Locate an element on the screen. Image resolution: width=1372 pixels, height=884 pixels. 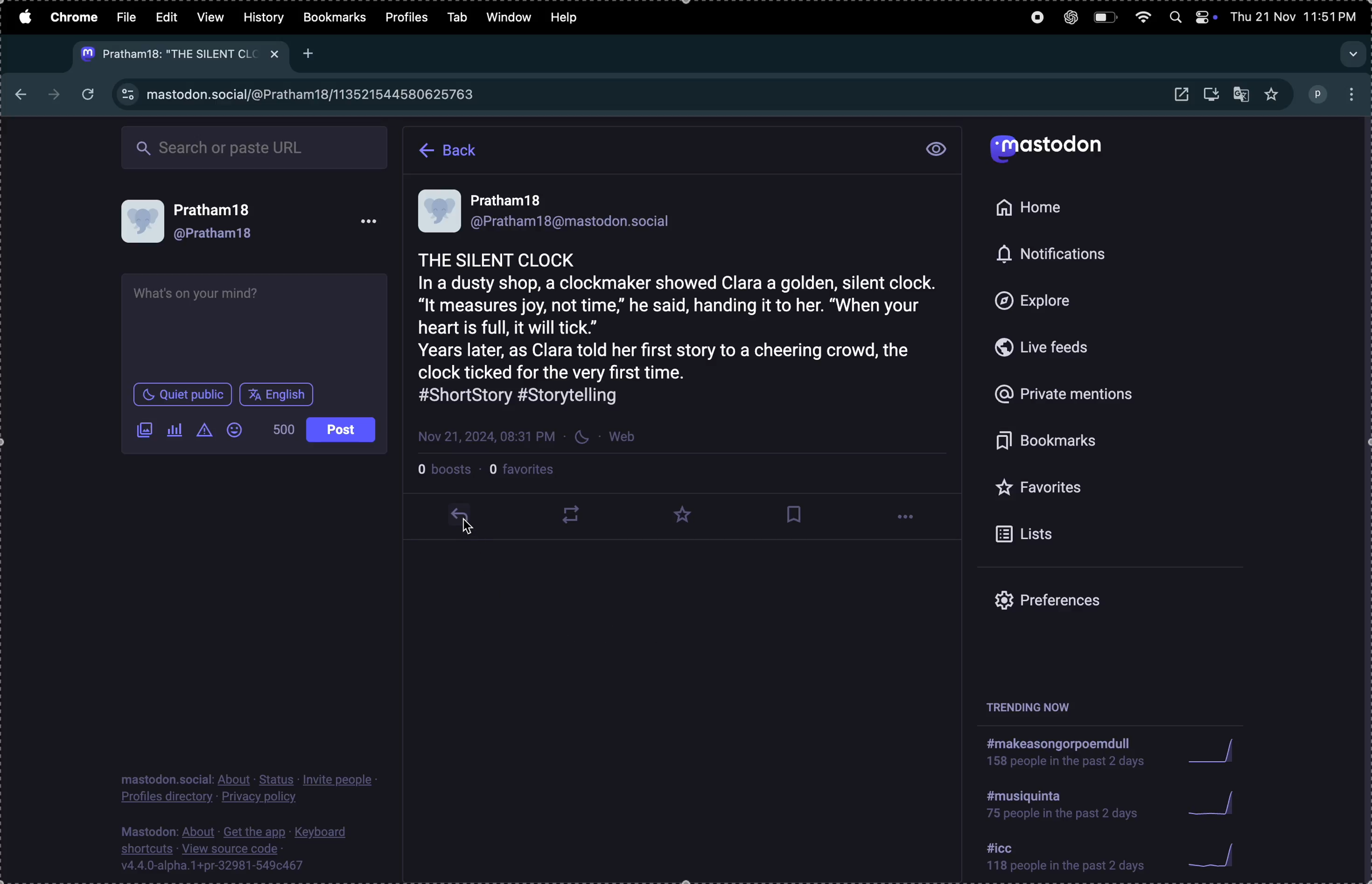
reply is located at coordinates (466, 522).